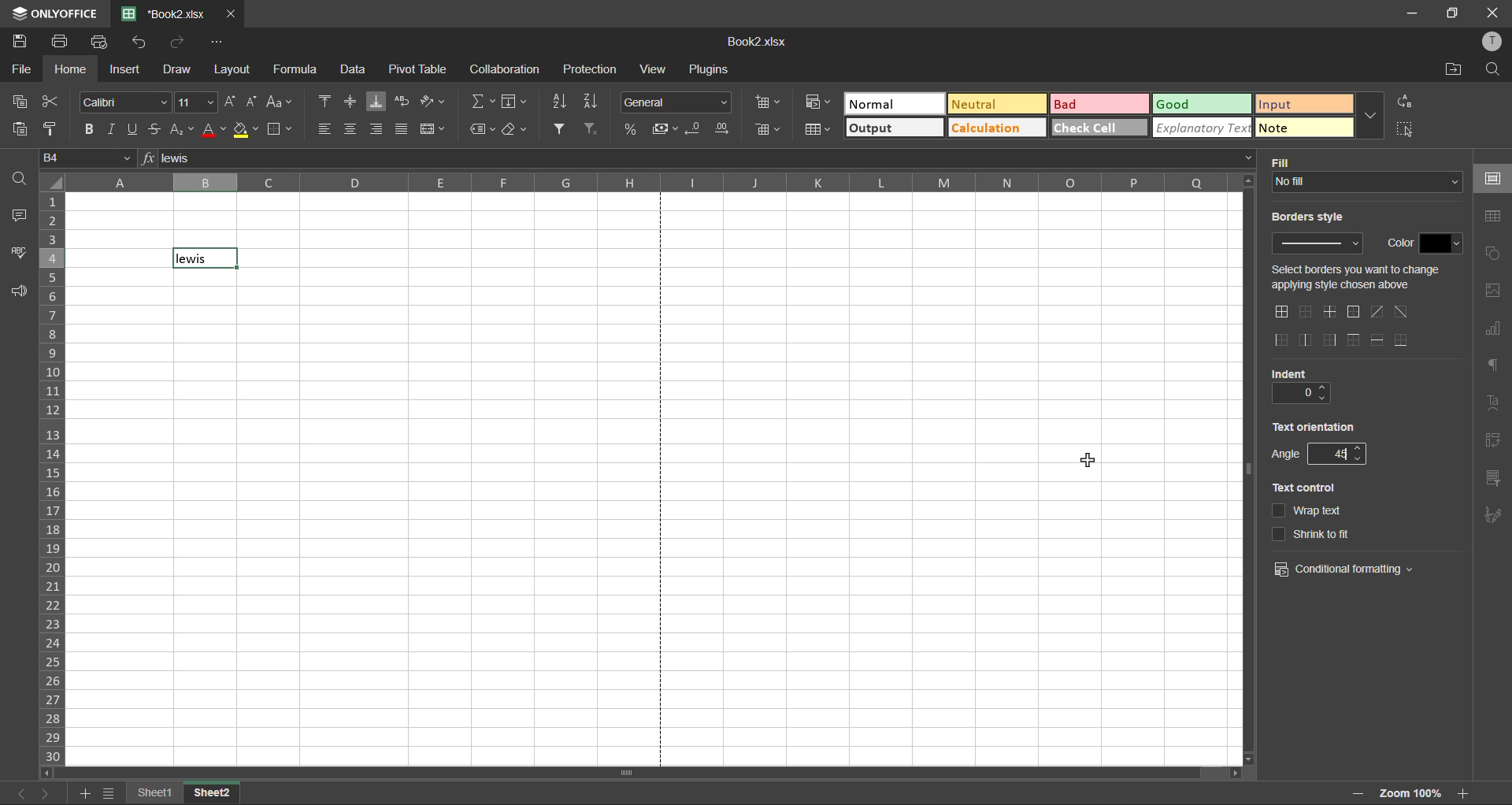 The height and width of the screenshot is (805, 1512). Describe the element at coordinates (505, 69) in the screenshot. I see `collaboration` at that location.